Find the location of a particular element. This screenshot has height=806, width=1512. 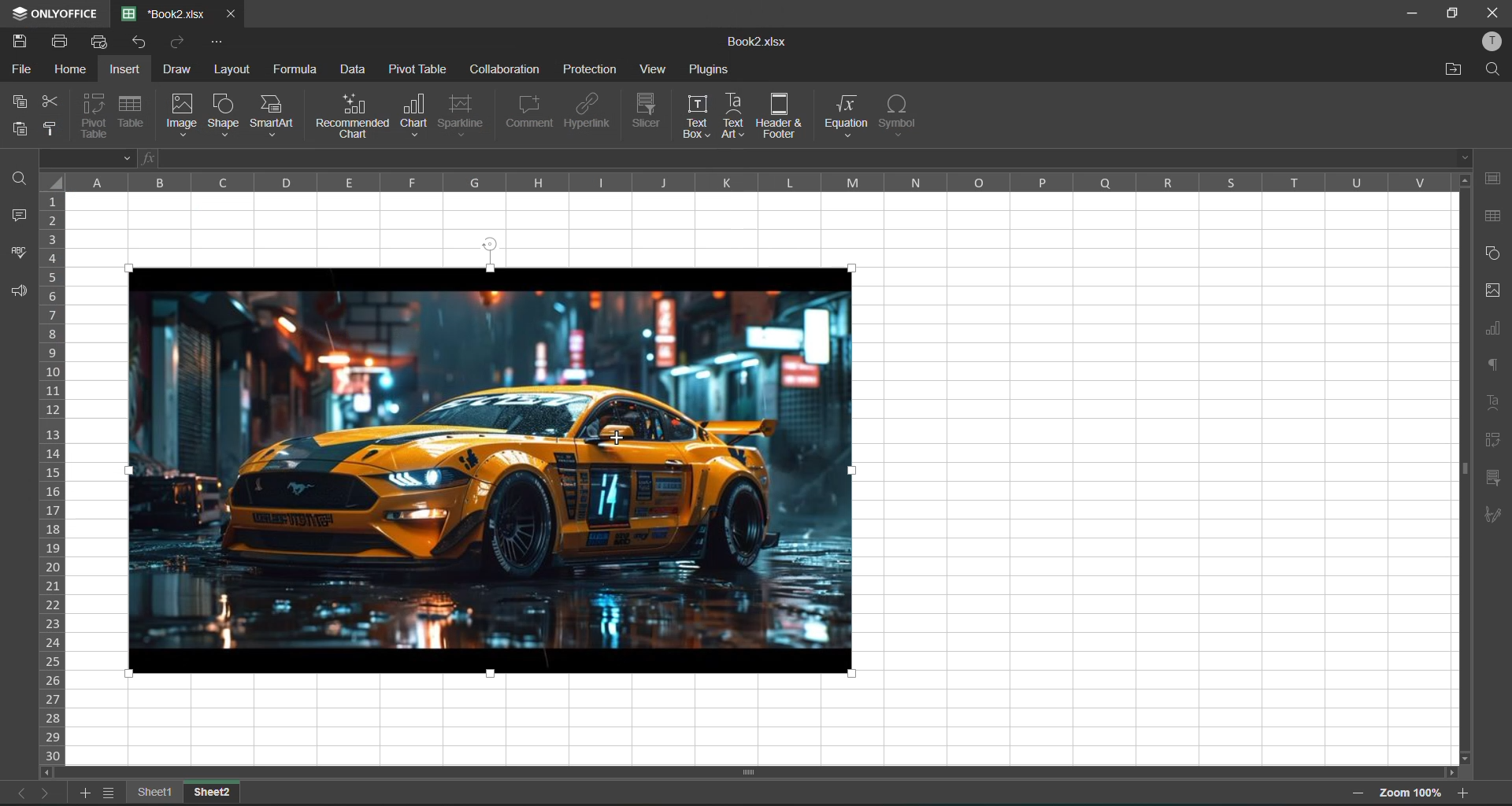

table is located at coordinates (1494, 216).